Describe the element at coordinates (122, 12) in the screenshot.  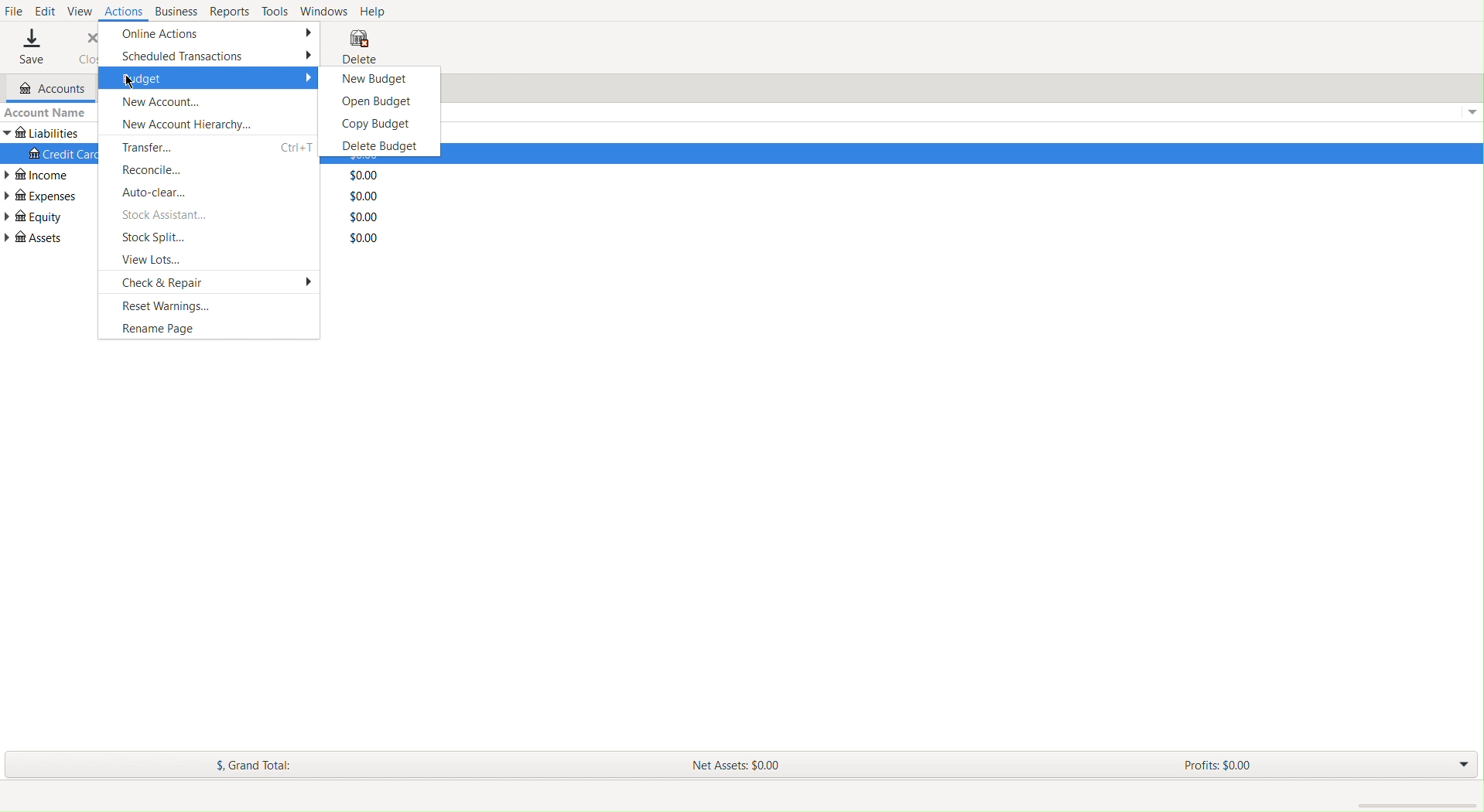
I see `Actions` at that location.